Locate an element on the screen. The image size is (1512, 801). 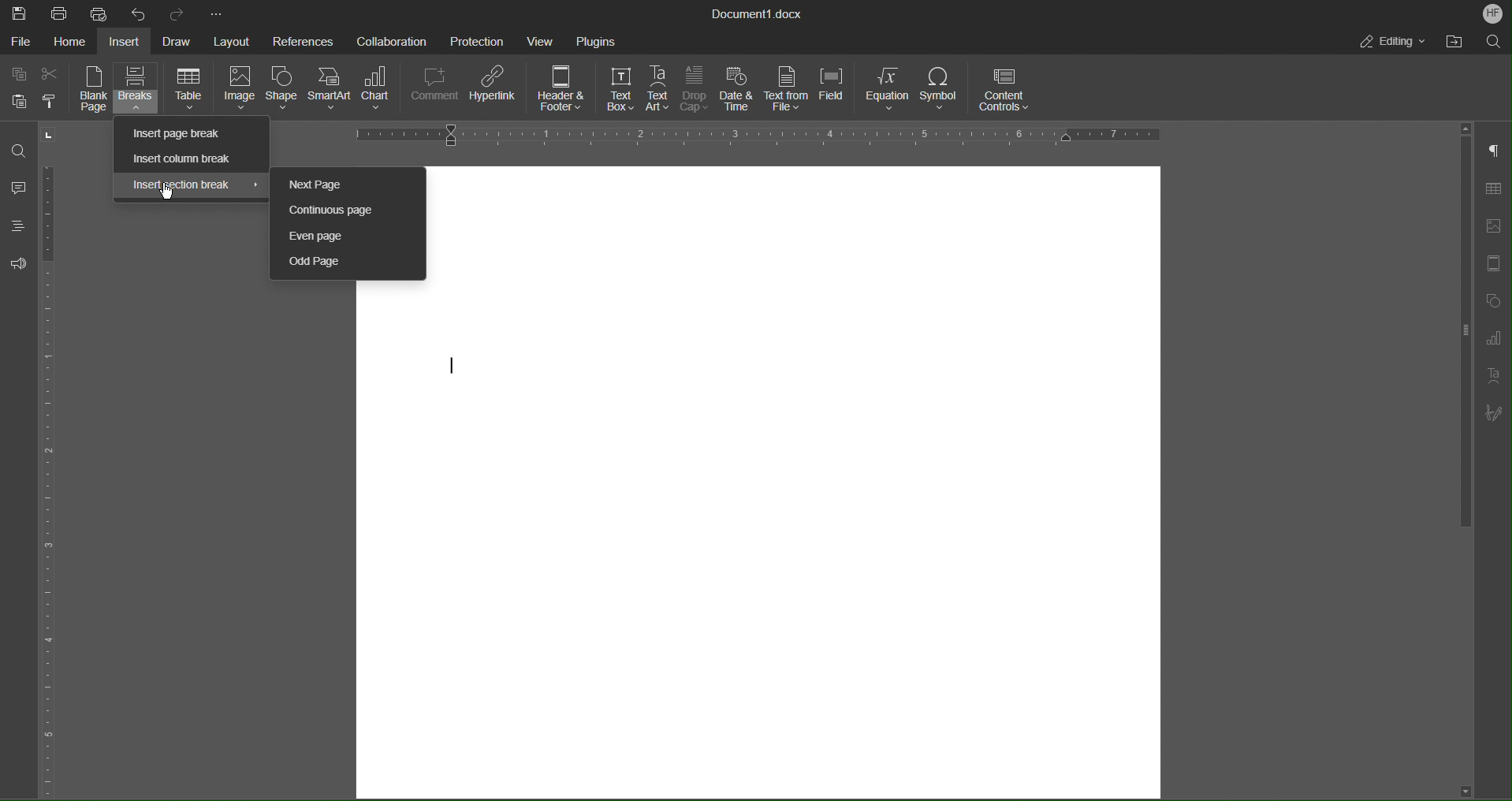
Find is located at coordinates (19, 152).